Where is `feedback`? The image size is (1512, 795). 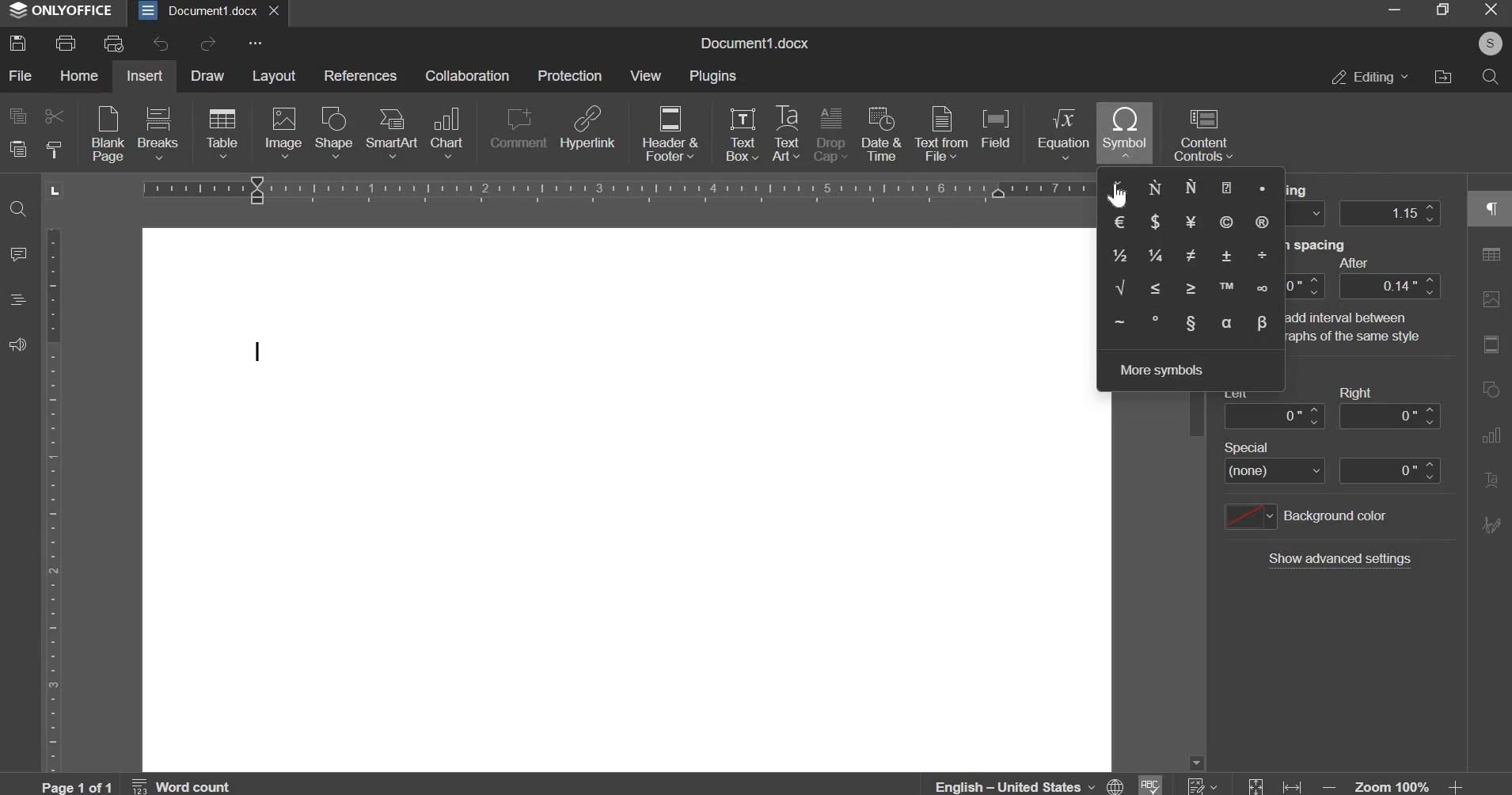 feedback is located at coordinates (17, 344).